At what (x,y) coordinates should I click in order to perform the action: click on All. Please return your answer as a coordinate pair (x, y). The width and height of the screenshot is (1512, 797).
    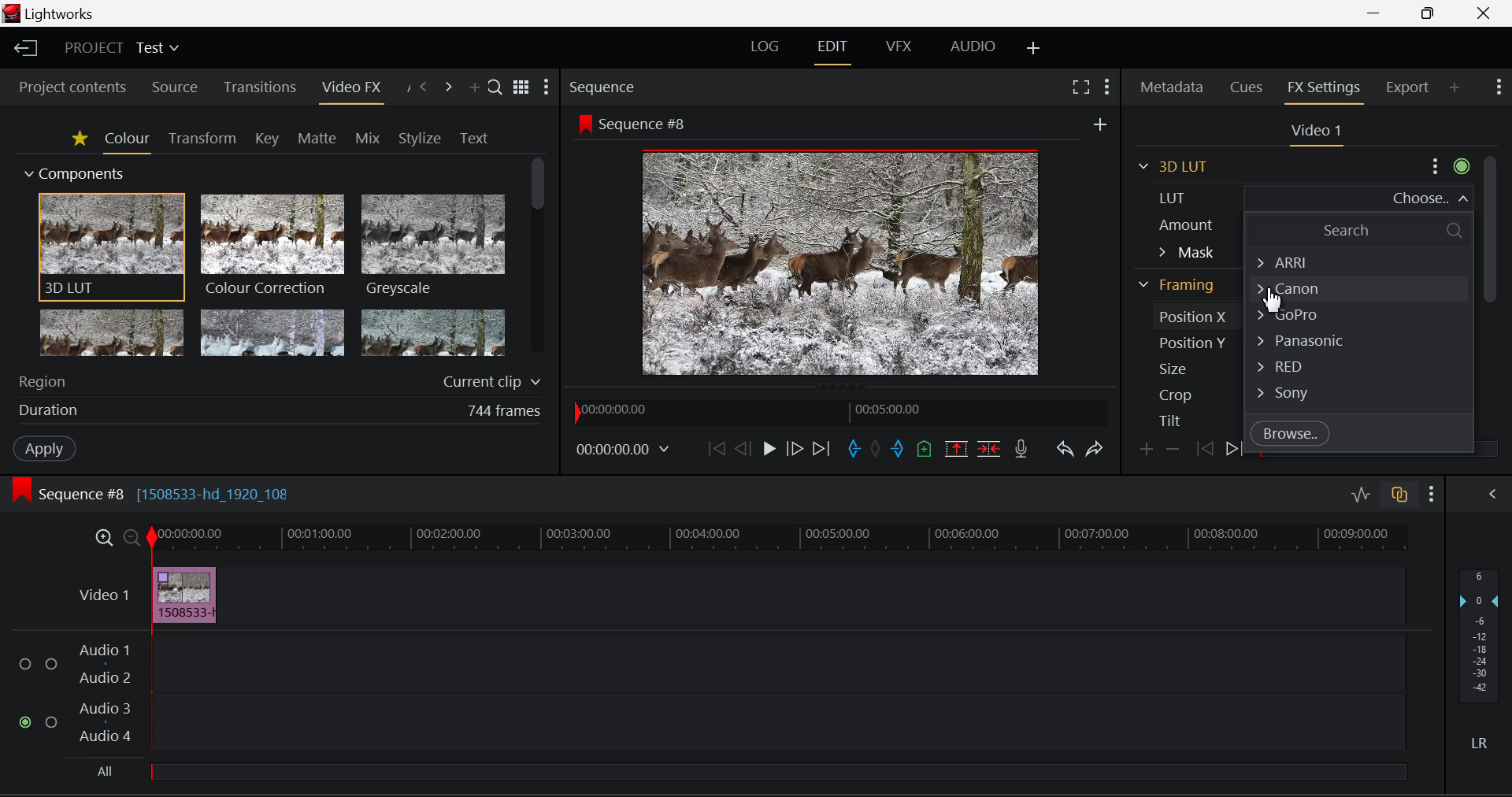
    Looking at the image, I should click on (750, 770).